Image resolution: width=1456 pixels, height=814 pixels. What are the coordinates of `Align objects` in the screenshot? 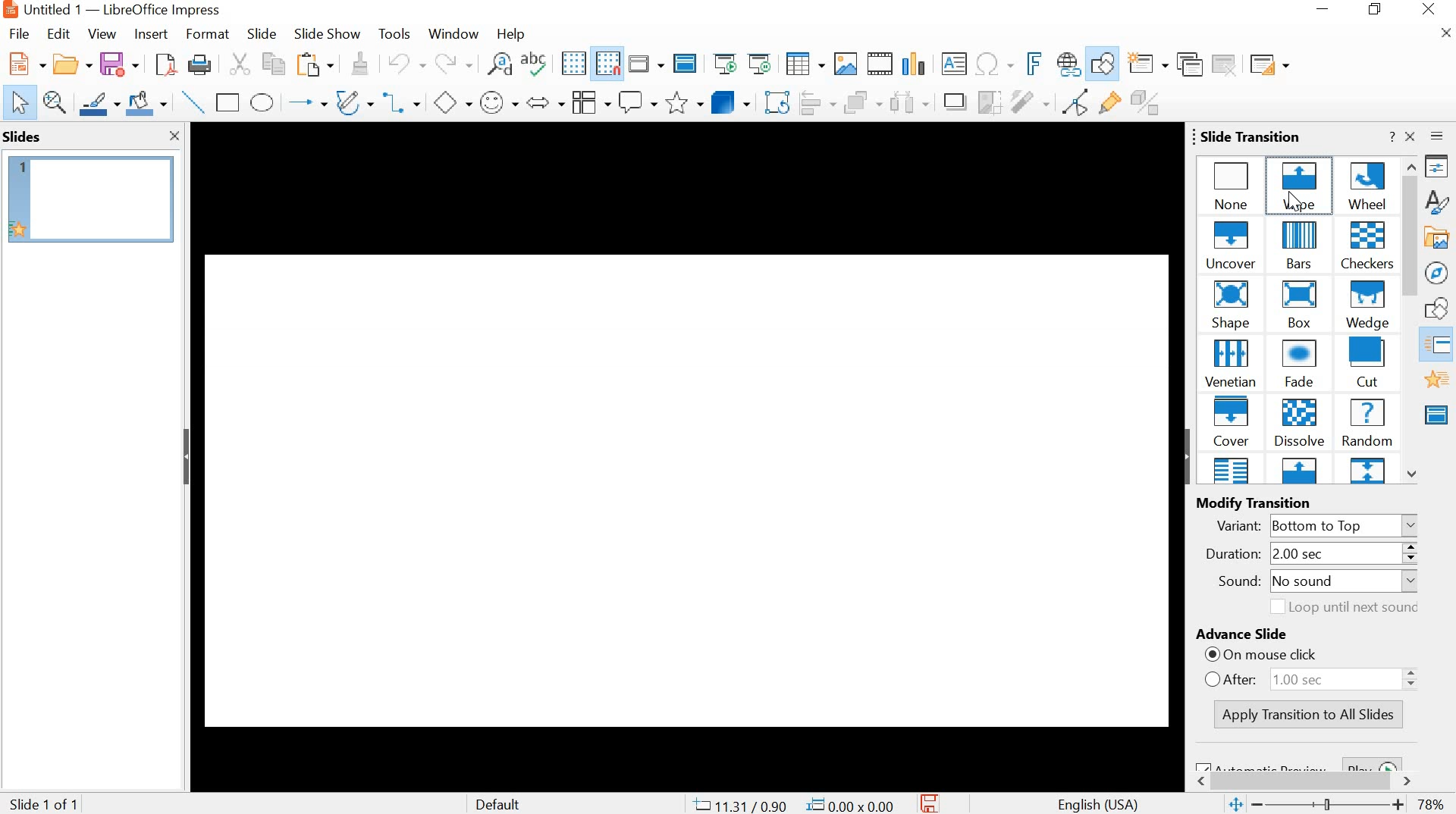 It's located at (820, 102).